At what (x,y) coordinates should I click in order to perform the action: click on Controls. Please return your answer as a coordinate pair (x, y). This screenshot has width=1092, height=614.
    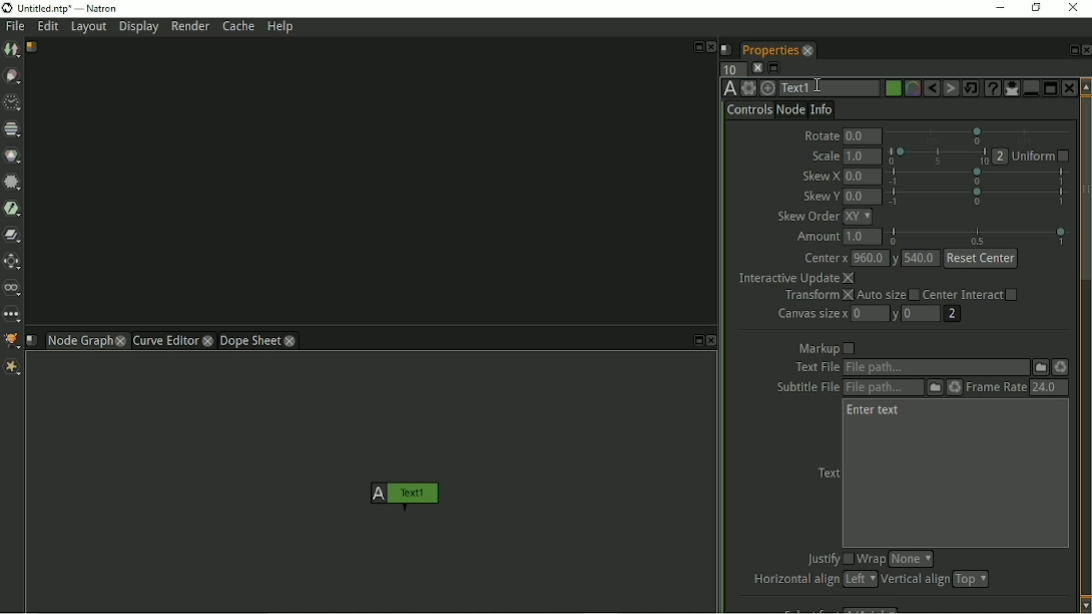
    Looking at the image, I should click on (749, 110).